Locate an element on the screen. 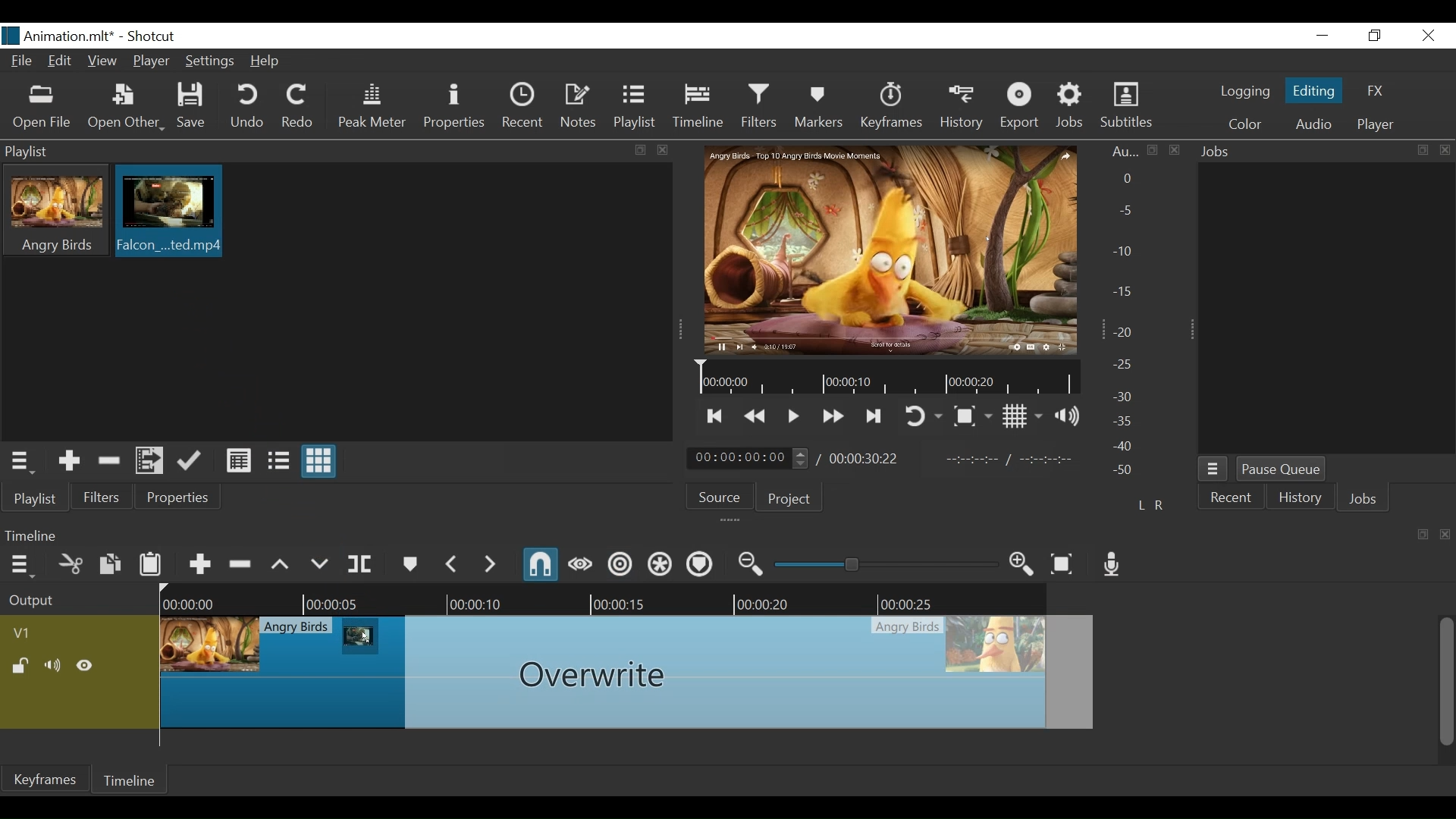  Marker is located at coordinates (409, 562).